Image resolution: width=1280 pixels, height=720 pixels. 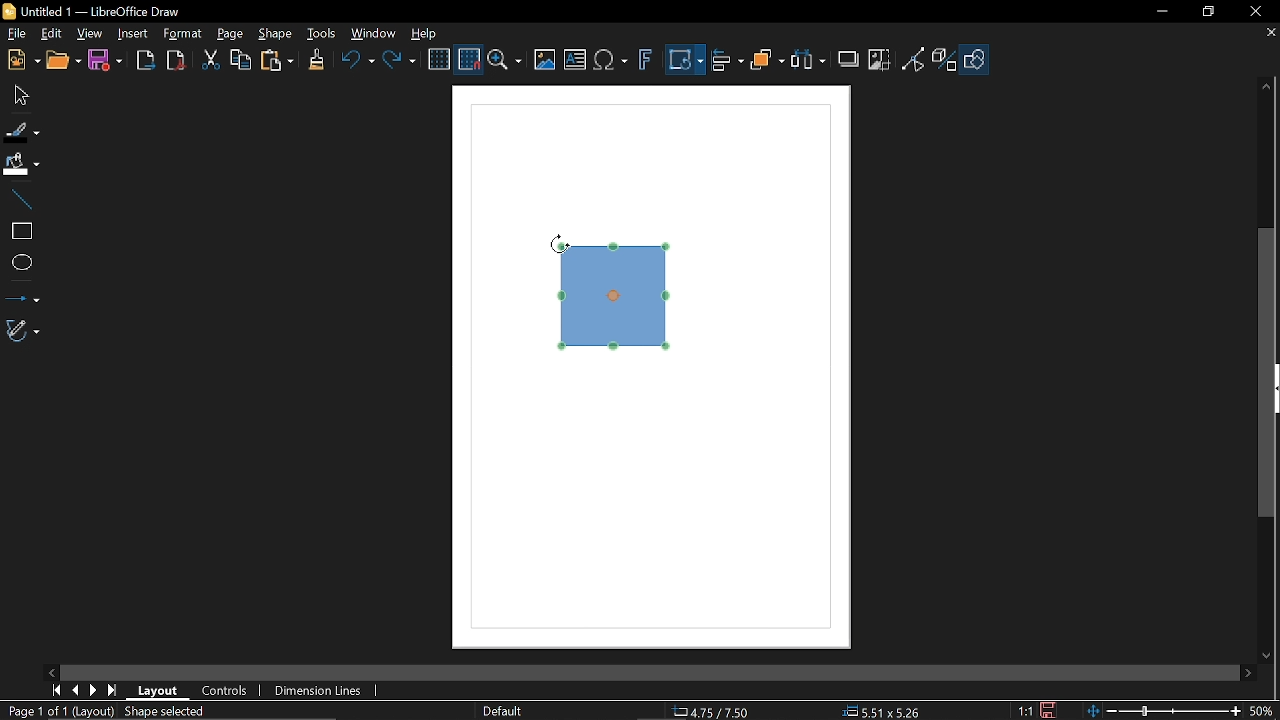 I want to click on Page 1 of 1 (Layout), so click(x=59, y=711).